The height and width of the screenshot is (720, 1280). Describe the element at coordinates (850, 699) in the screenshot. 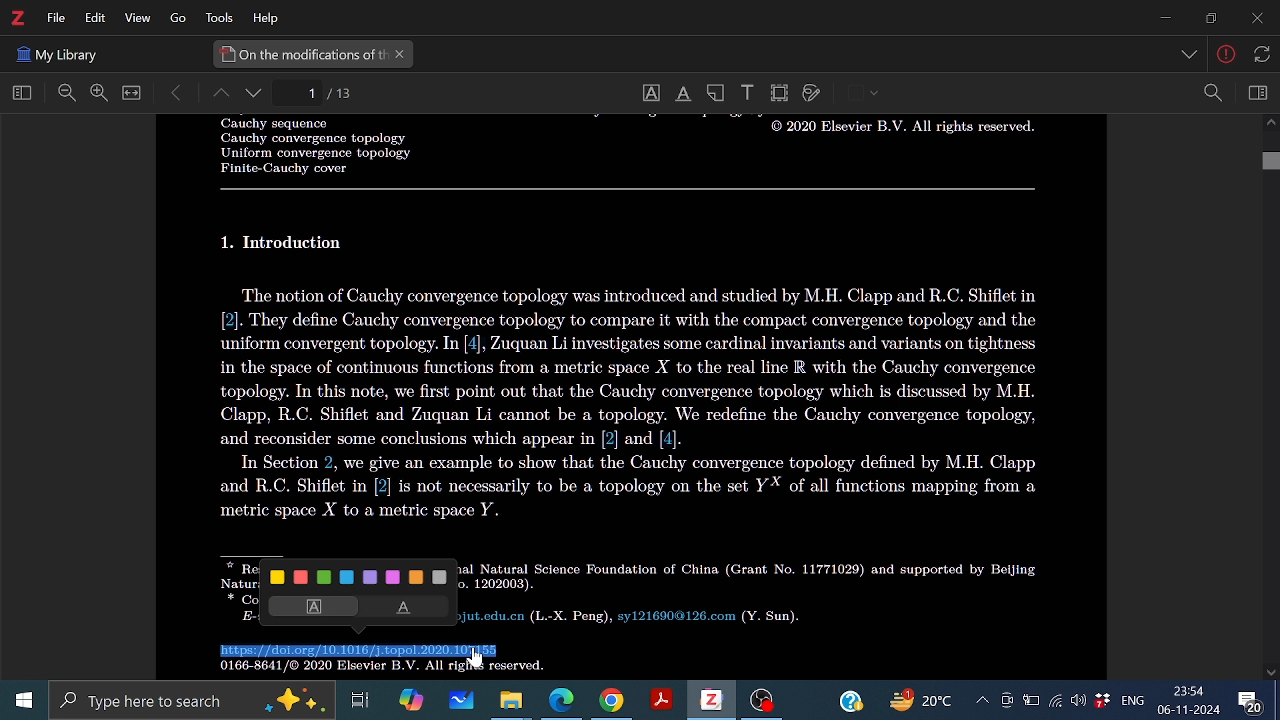

I see `Help` at that location.